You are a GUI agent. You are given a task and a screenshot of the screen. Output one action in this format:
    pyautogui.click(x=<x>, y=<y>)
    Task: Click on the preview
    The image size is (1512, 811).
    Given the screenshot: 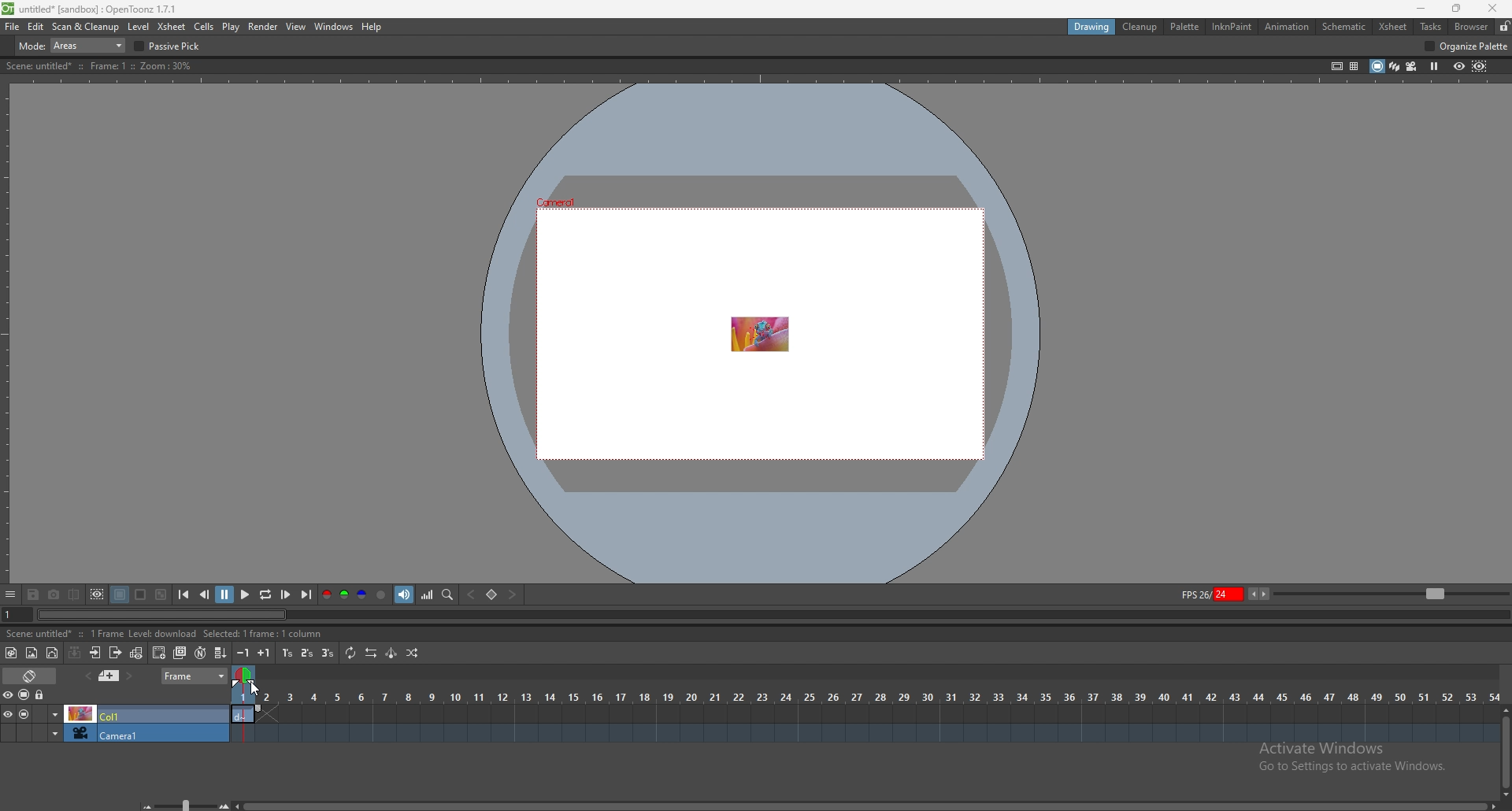 What is the action you would take?
    pyautogui.click(x=1459, y=66)
    